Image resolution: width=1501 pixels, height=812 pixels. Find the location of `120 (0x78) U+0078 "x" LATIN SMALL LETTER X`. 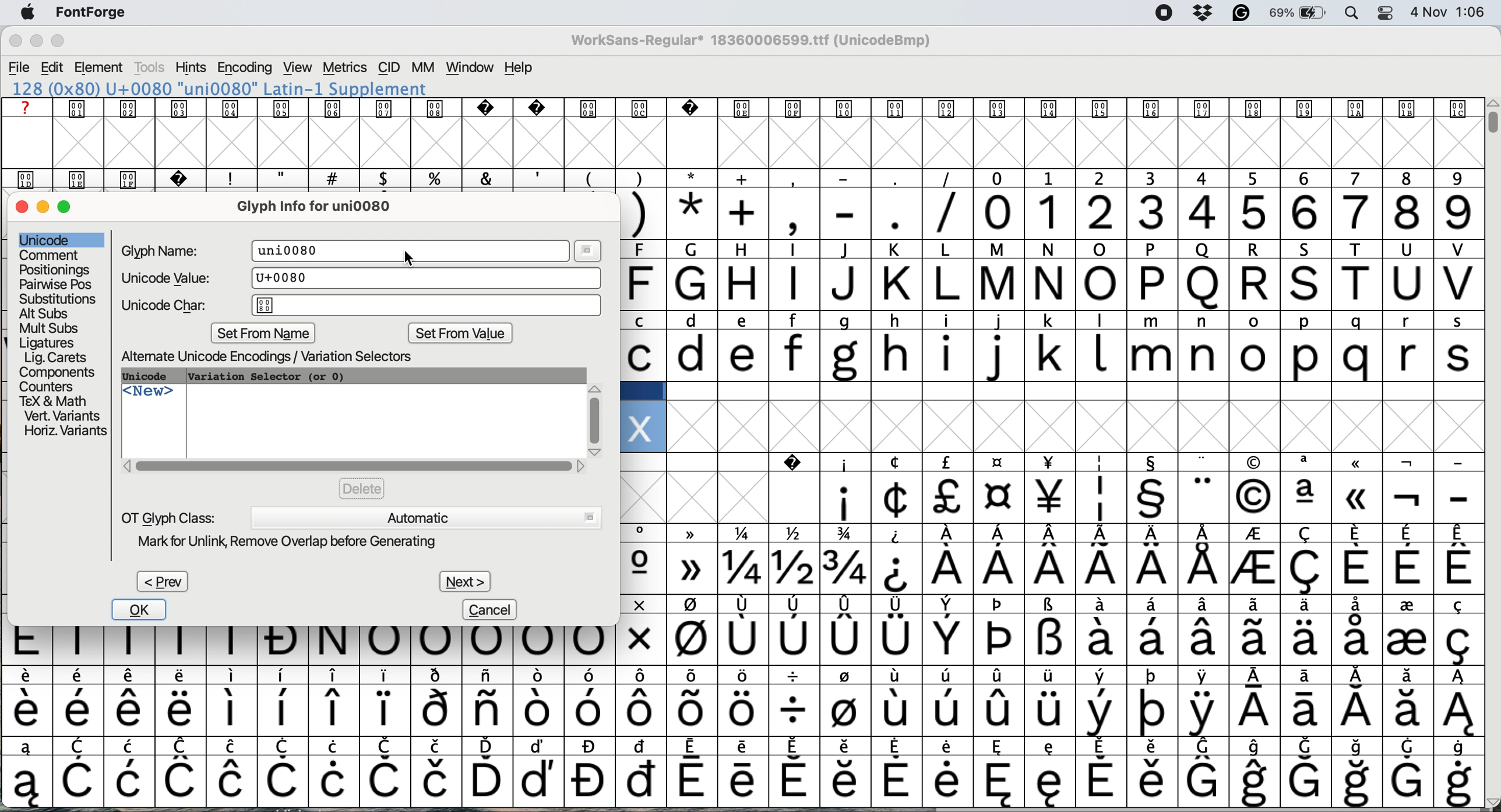

120 (0x78) U+0078 "x" LATIN SMALL LETTER X is located at coordinates (220, 89).